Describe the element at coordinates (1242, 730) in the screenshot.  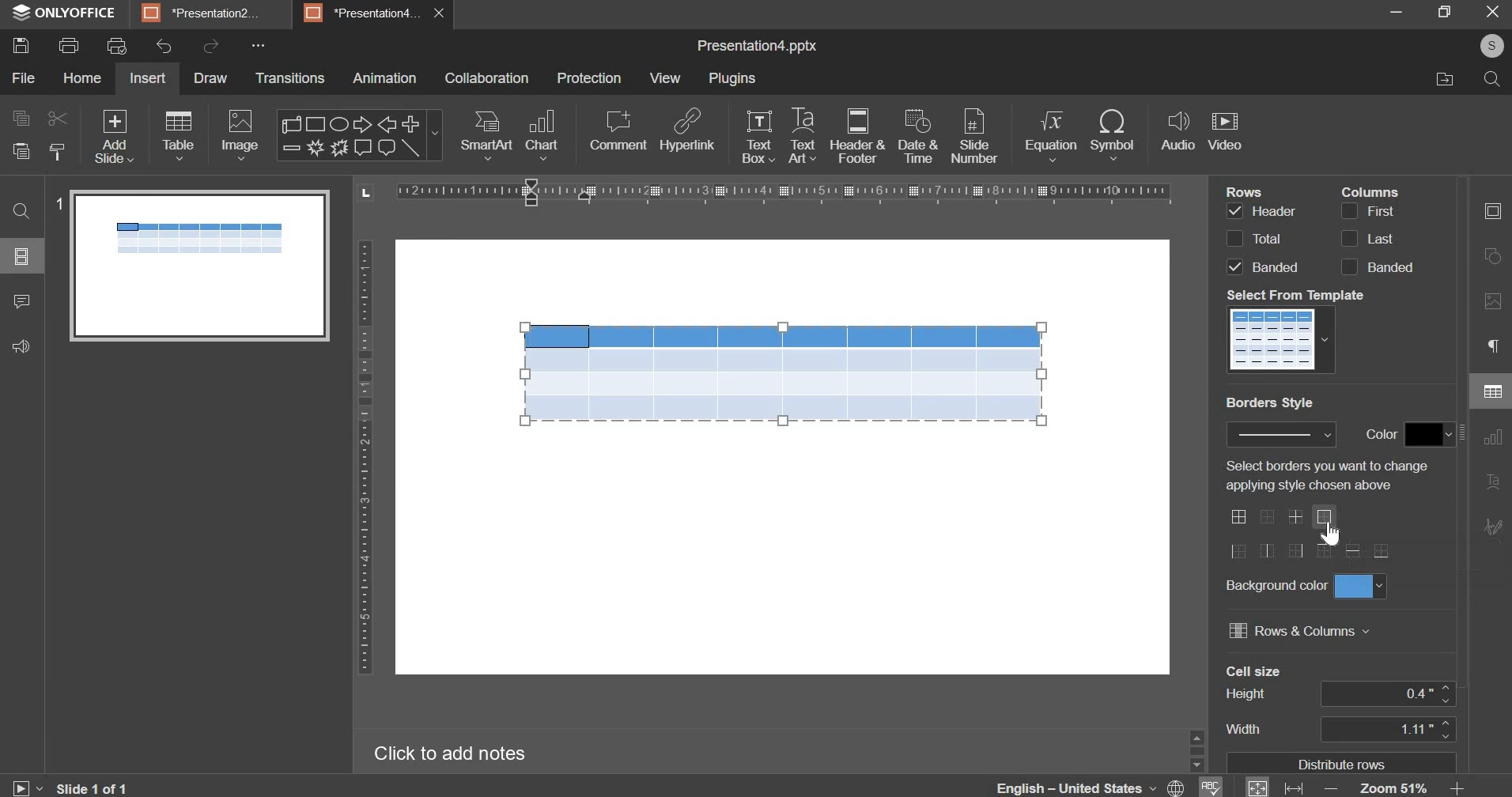
I see `width` at that location.